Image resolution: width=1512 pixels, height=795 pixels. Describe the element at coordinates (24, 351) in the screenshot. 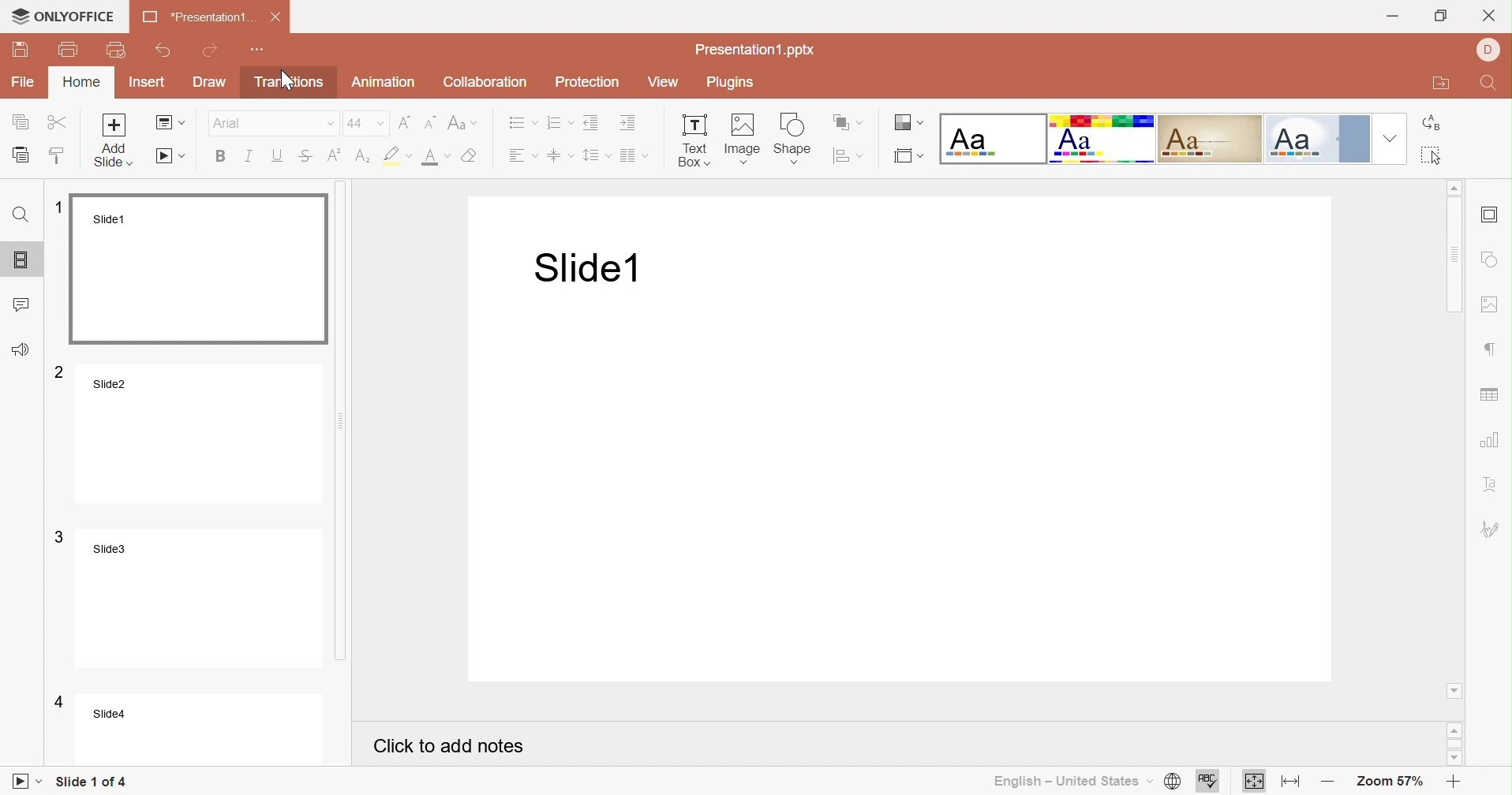

I see `Feedback & Support` at that location.